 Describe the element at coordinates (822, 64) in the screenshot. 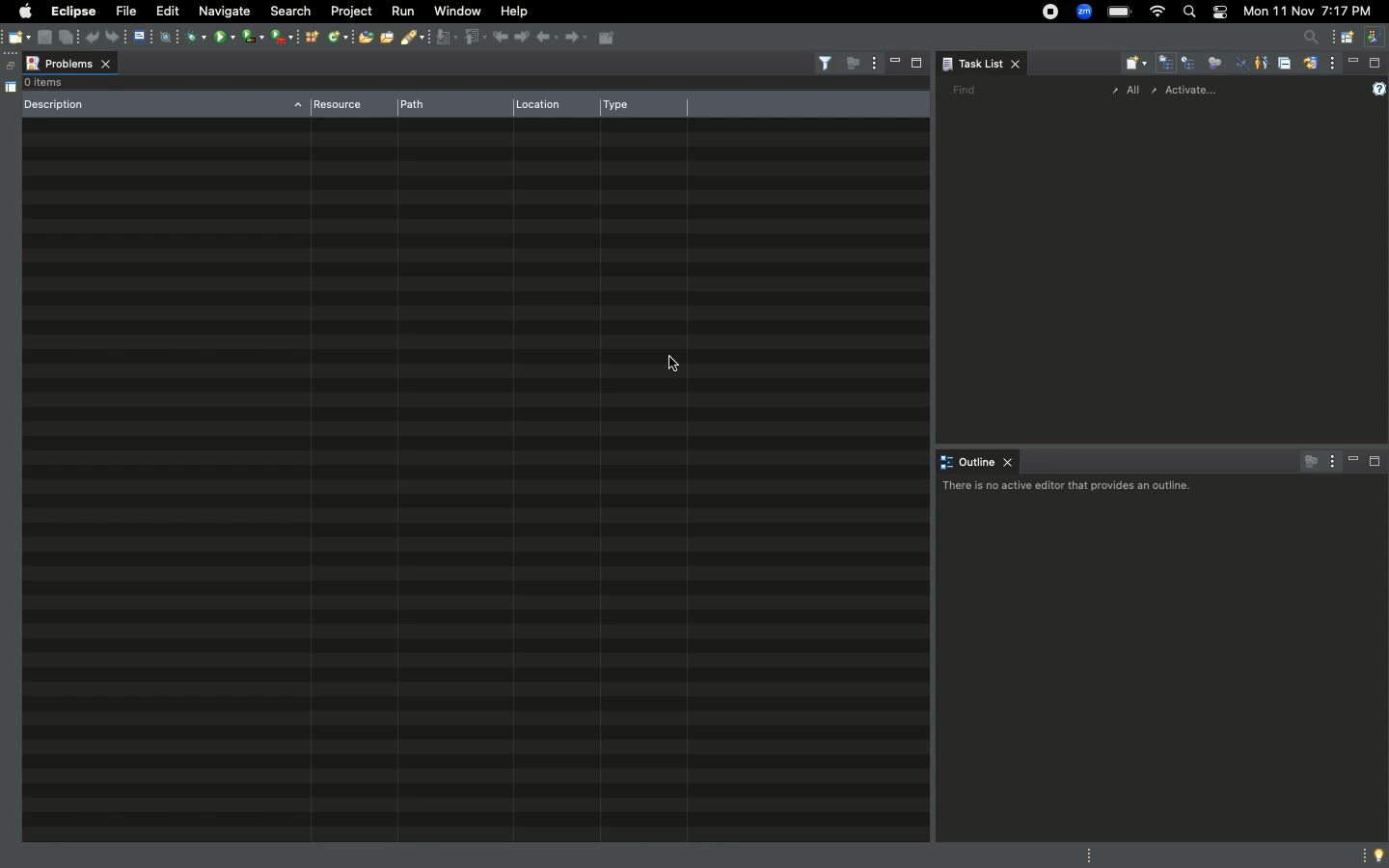

I see `Filters` at that location.